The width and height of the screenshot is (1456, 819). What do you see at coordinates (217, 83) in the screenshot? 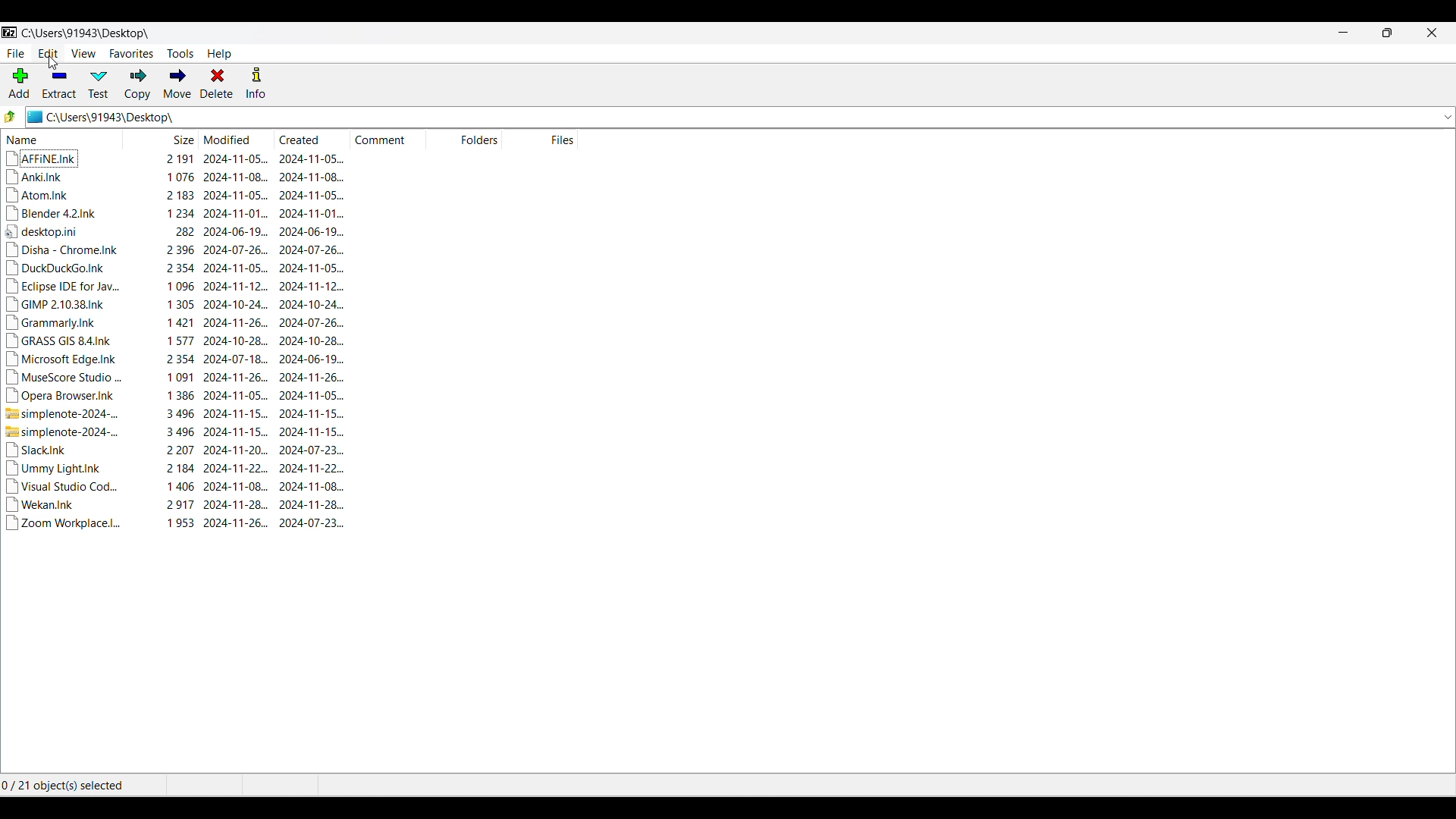
I see `Delete` at bounding box center [217, 83].